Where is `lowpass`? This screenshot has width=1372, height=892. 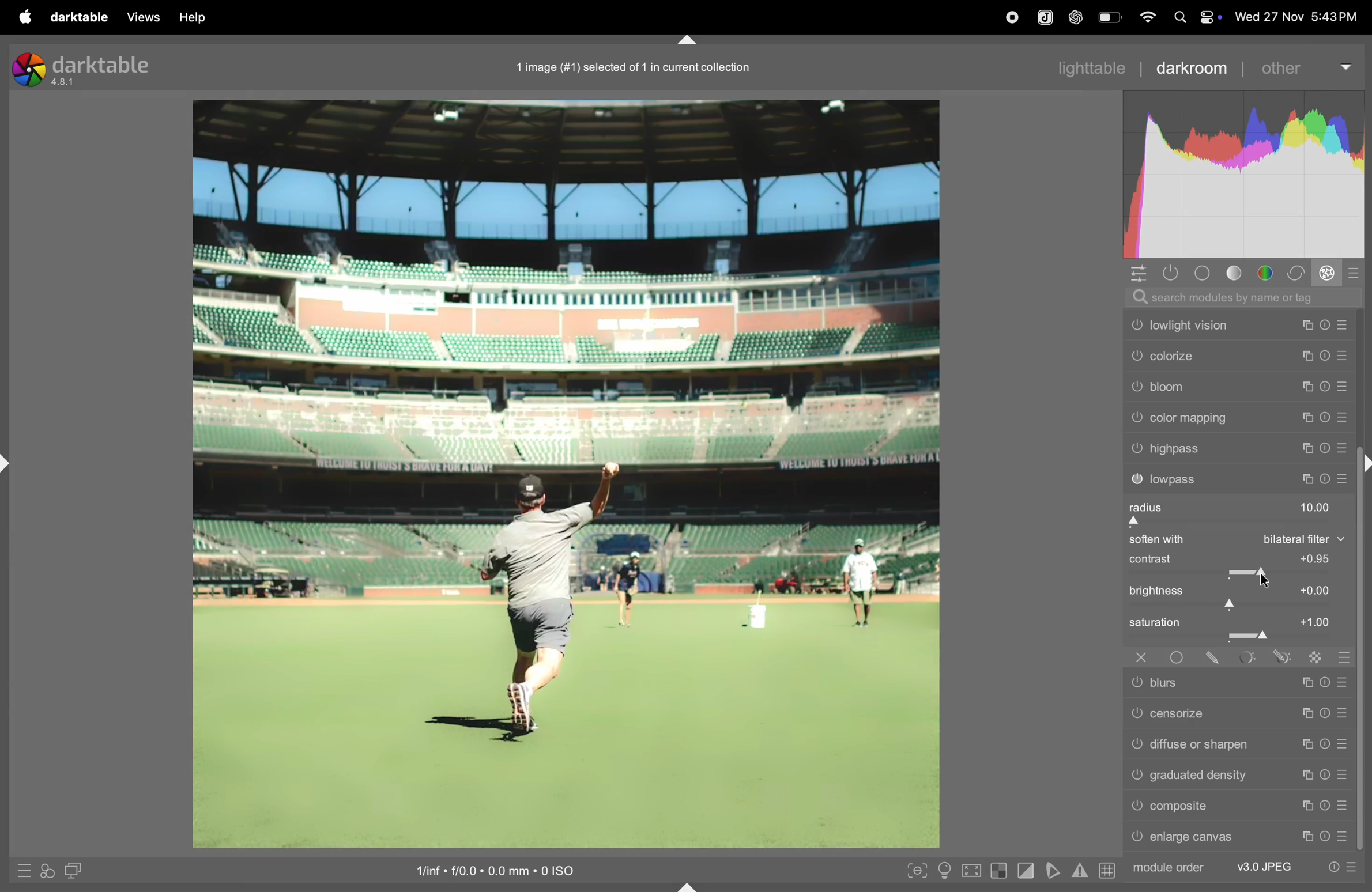
lowpass is located at coordinates (1237, 479).